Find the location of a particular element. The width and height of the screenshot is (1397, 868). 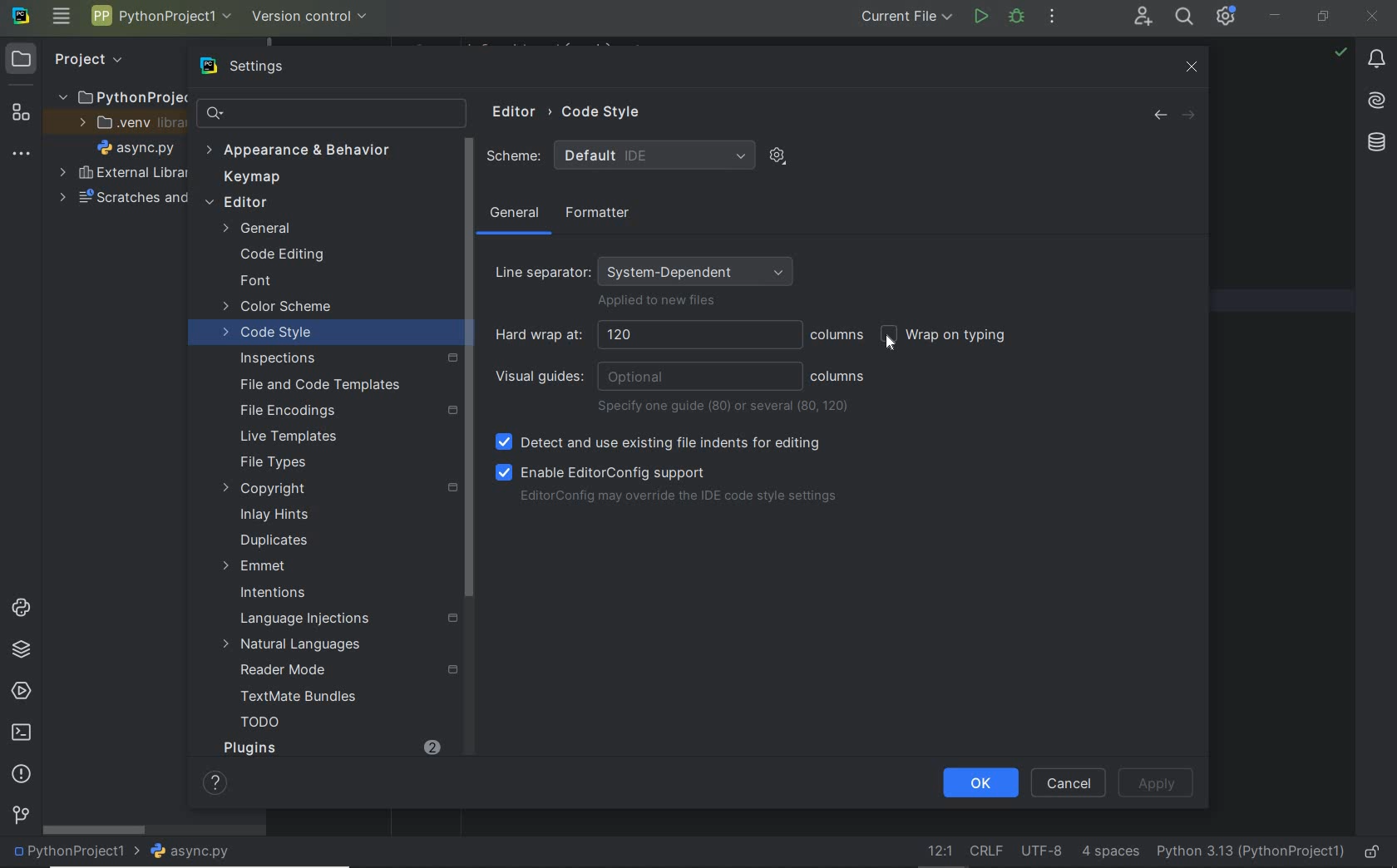

visual guides is located at coordinates (648, 377).